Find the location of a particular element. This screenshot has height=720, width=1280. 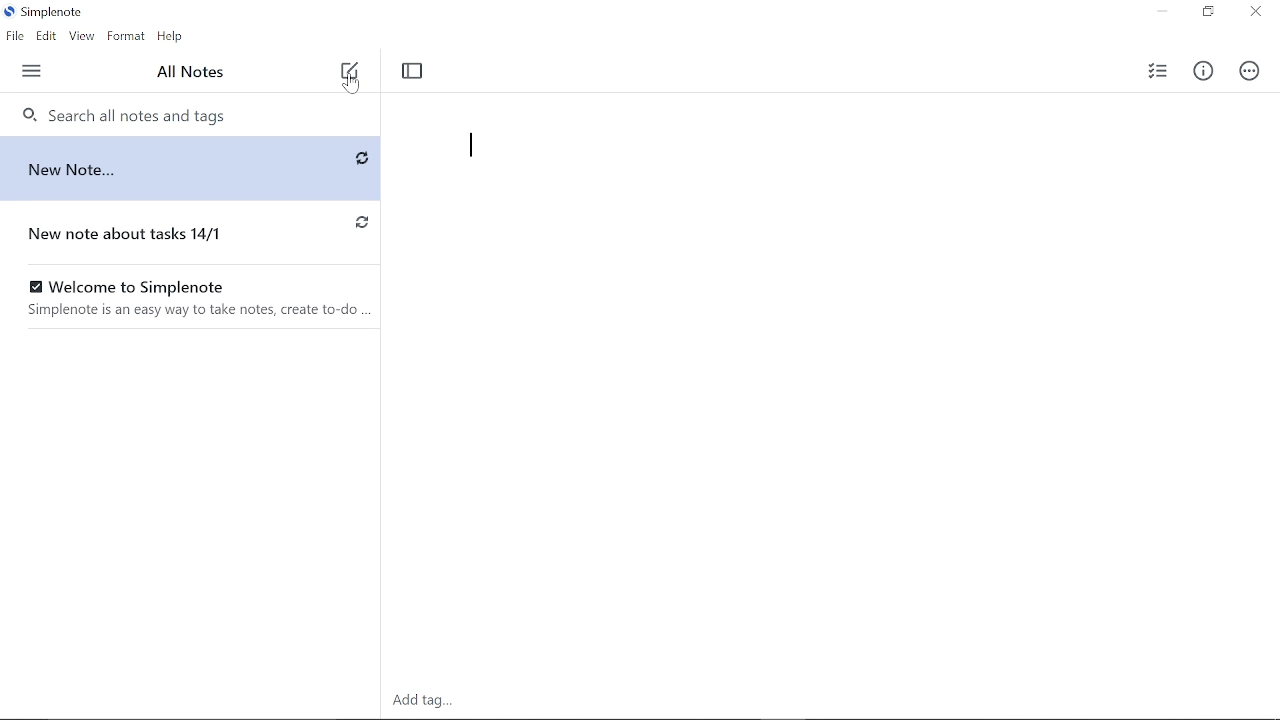

Format is located at coordinates (126, 37).